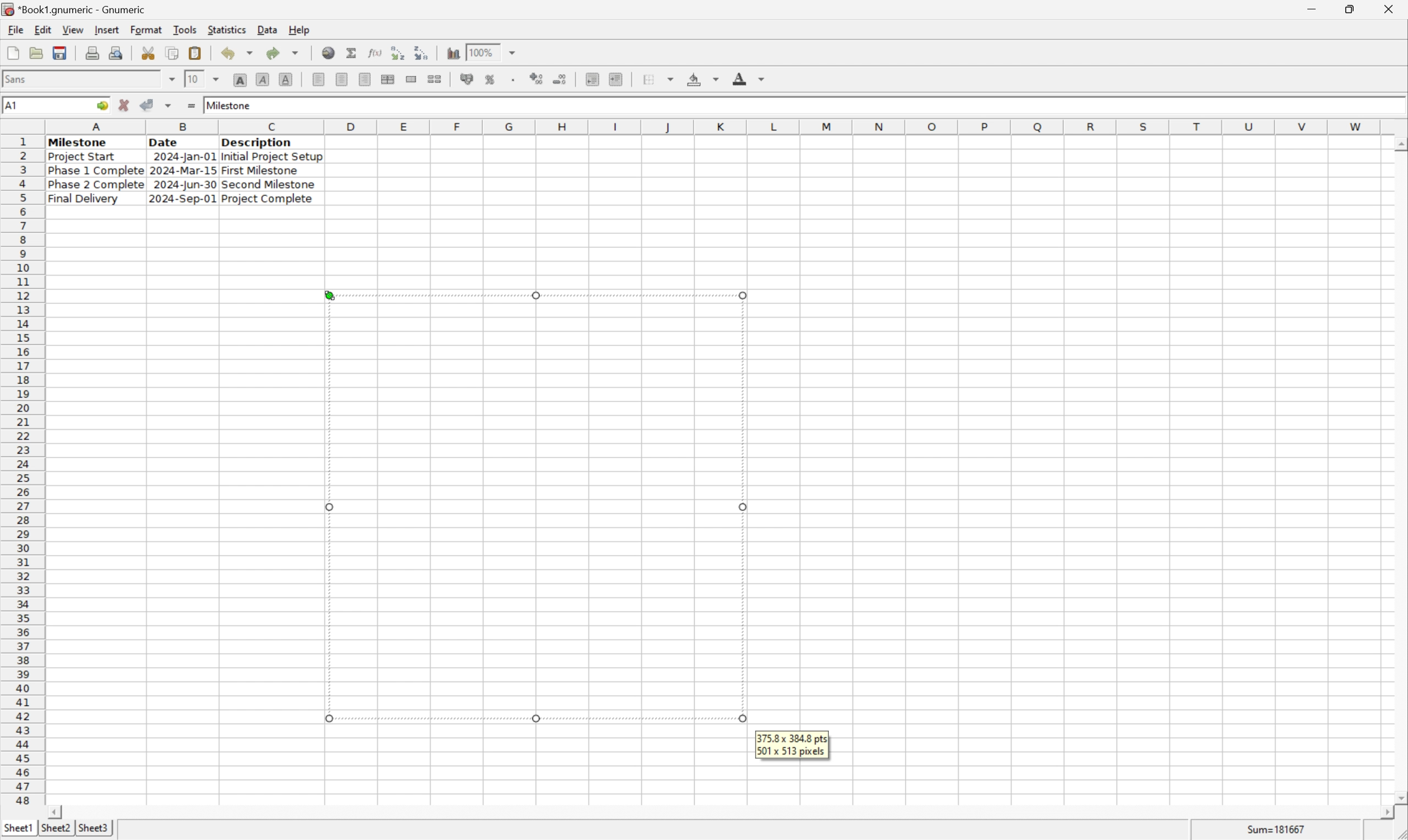 This screenshot has width=1408, height=840. What do you see at coordinates (491, 79) in the screenshot?
I see `format selection as percentage` at bounding box center [491, 79].